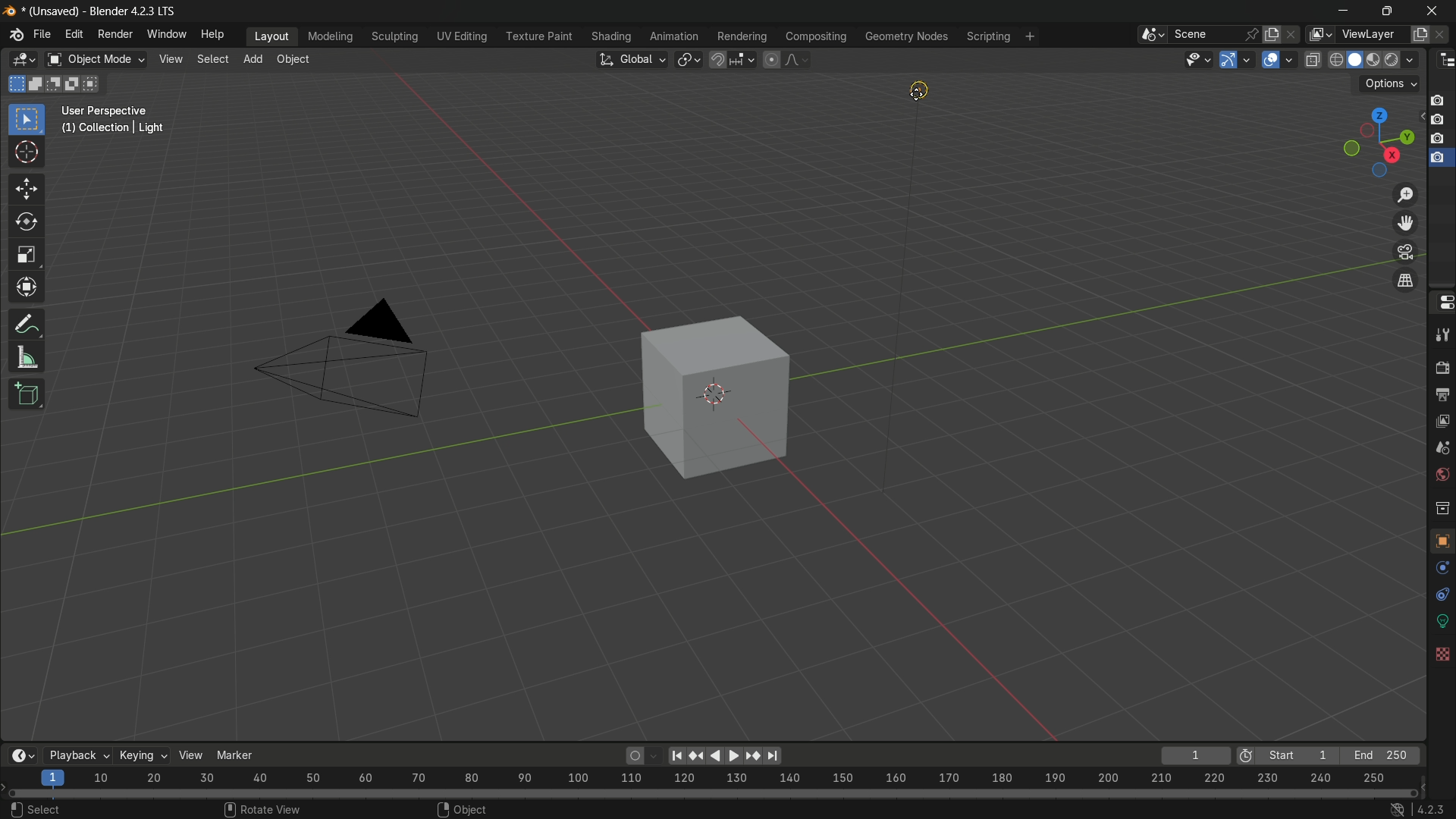 Image resolution: width=1456 pixels, height=819 pixels. I want to click on move, so click(28, 189).